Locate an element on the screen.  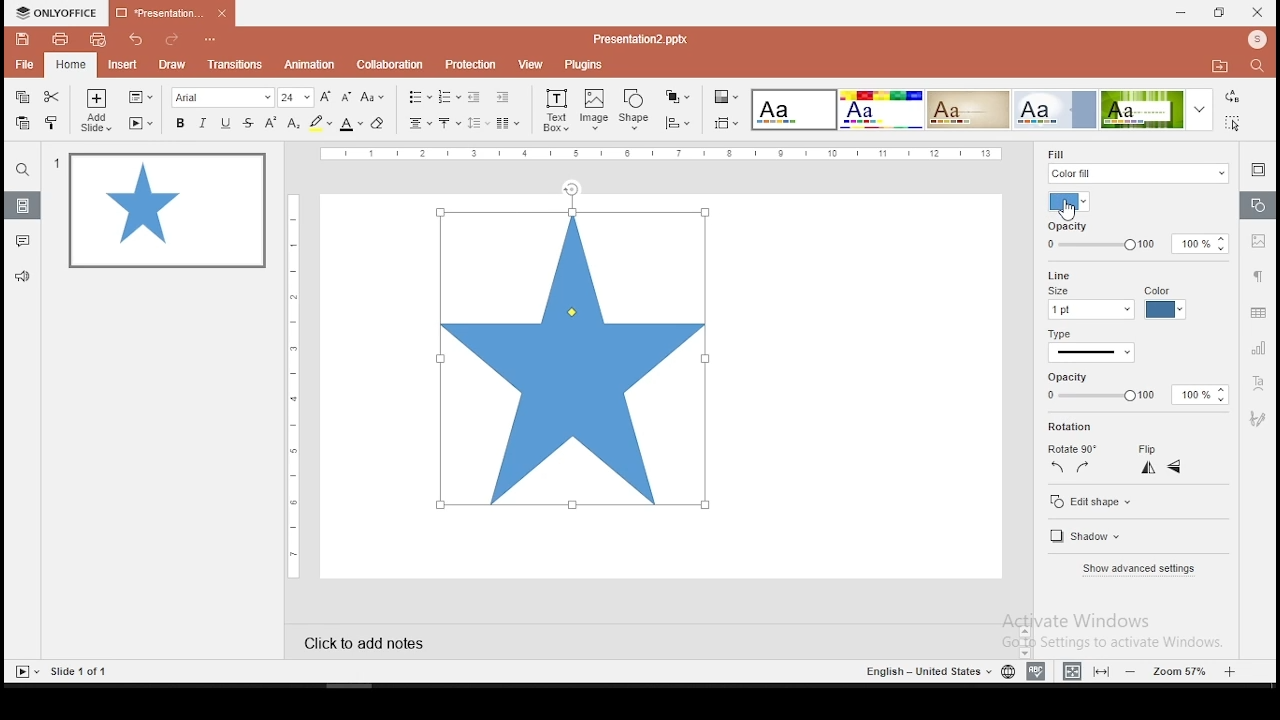
flip horizontal is located at coordinates (1148, 467).